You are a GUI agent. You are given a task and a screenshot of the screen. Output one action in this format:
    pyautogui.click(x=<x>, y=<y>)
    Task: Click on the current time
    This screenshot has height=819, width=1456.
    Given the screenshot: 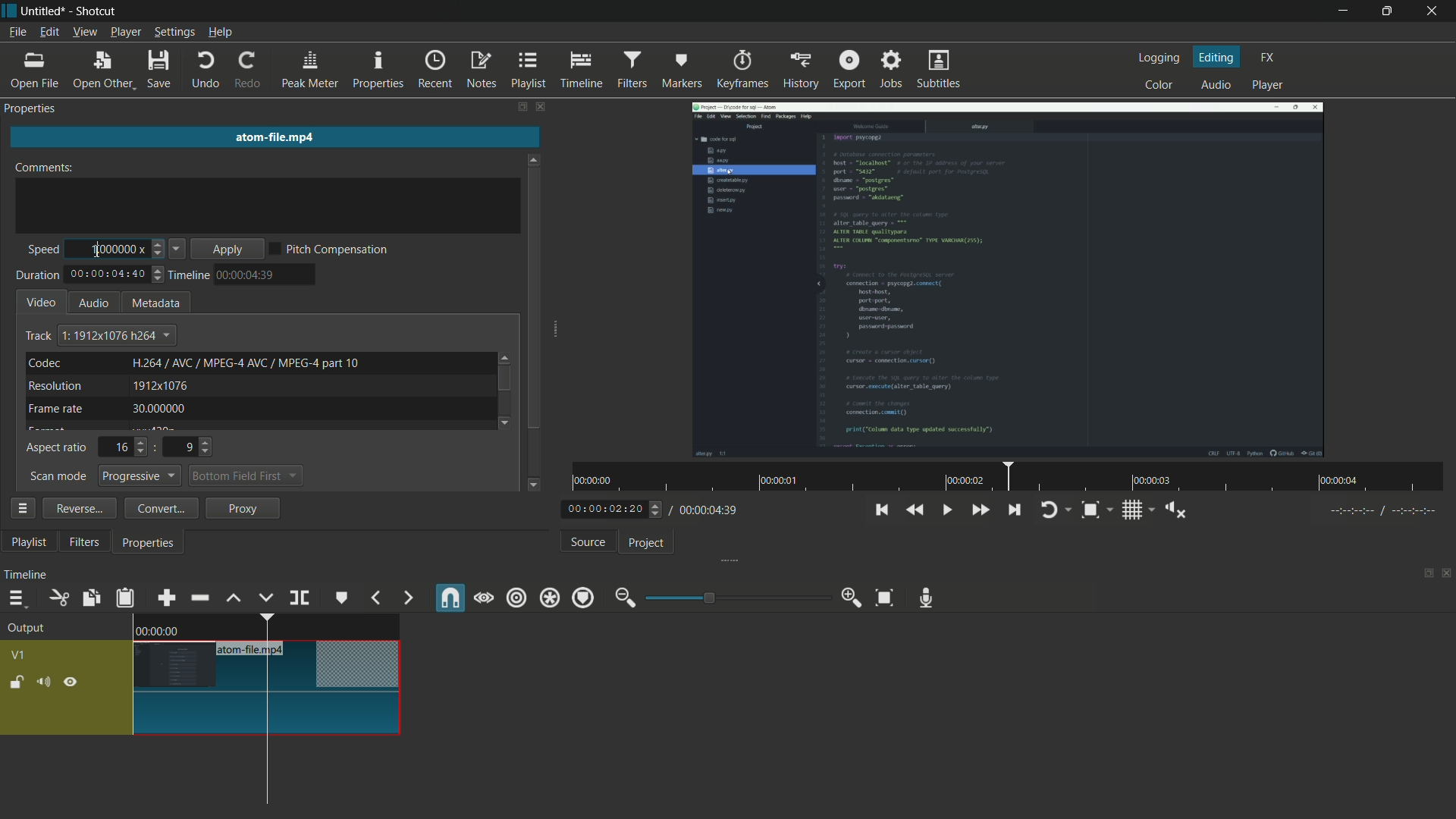 What is the action you would take?
    pyautogui.click(x=607, y=510)
    